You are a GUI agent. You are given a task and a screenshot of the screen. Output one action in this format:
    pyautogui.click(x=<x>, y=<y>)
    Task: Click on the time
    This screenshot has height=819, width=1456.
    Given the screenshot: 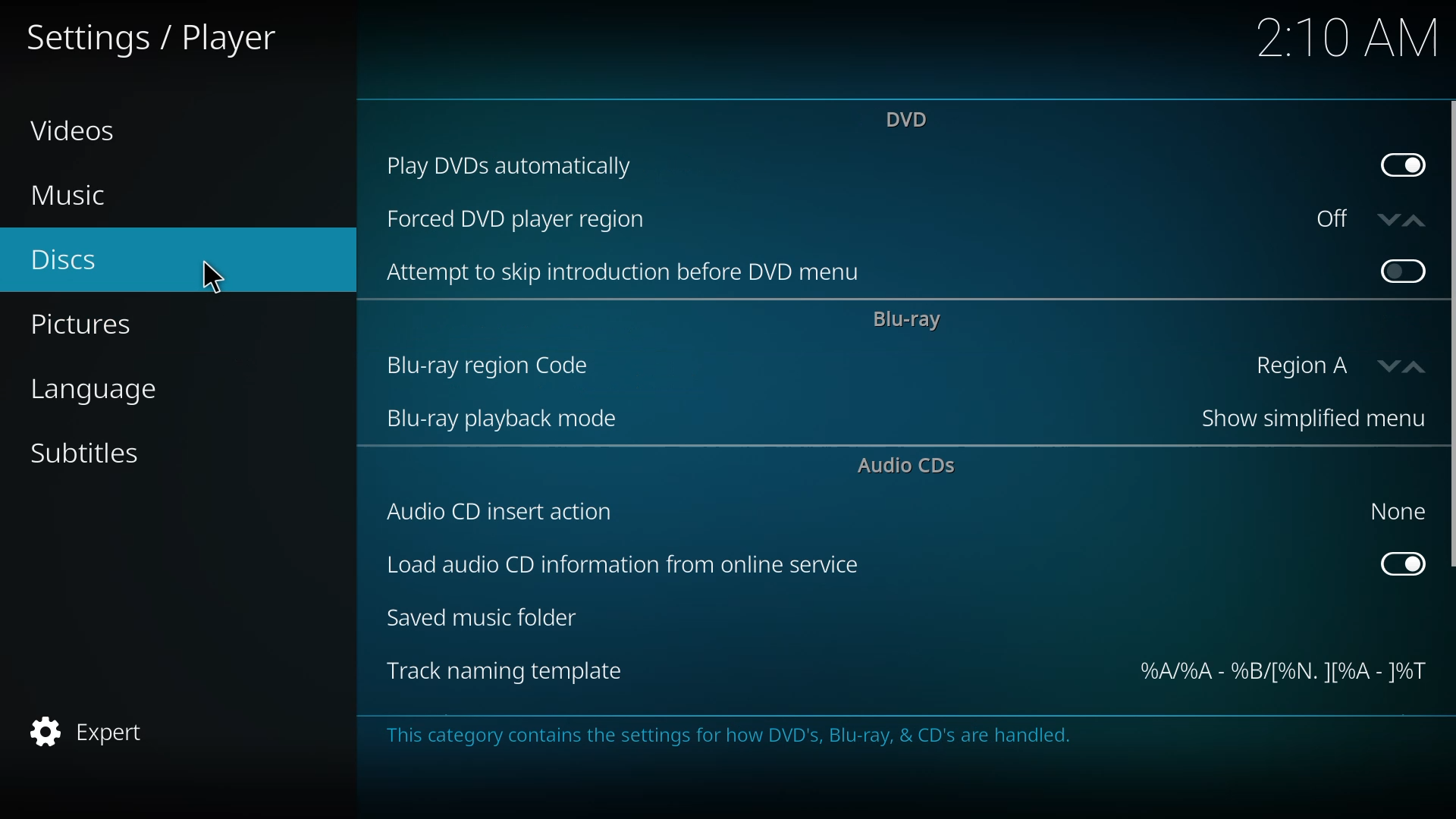 What is the action you would take?
    pyautogui.click(x=1348, y=38)
    